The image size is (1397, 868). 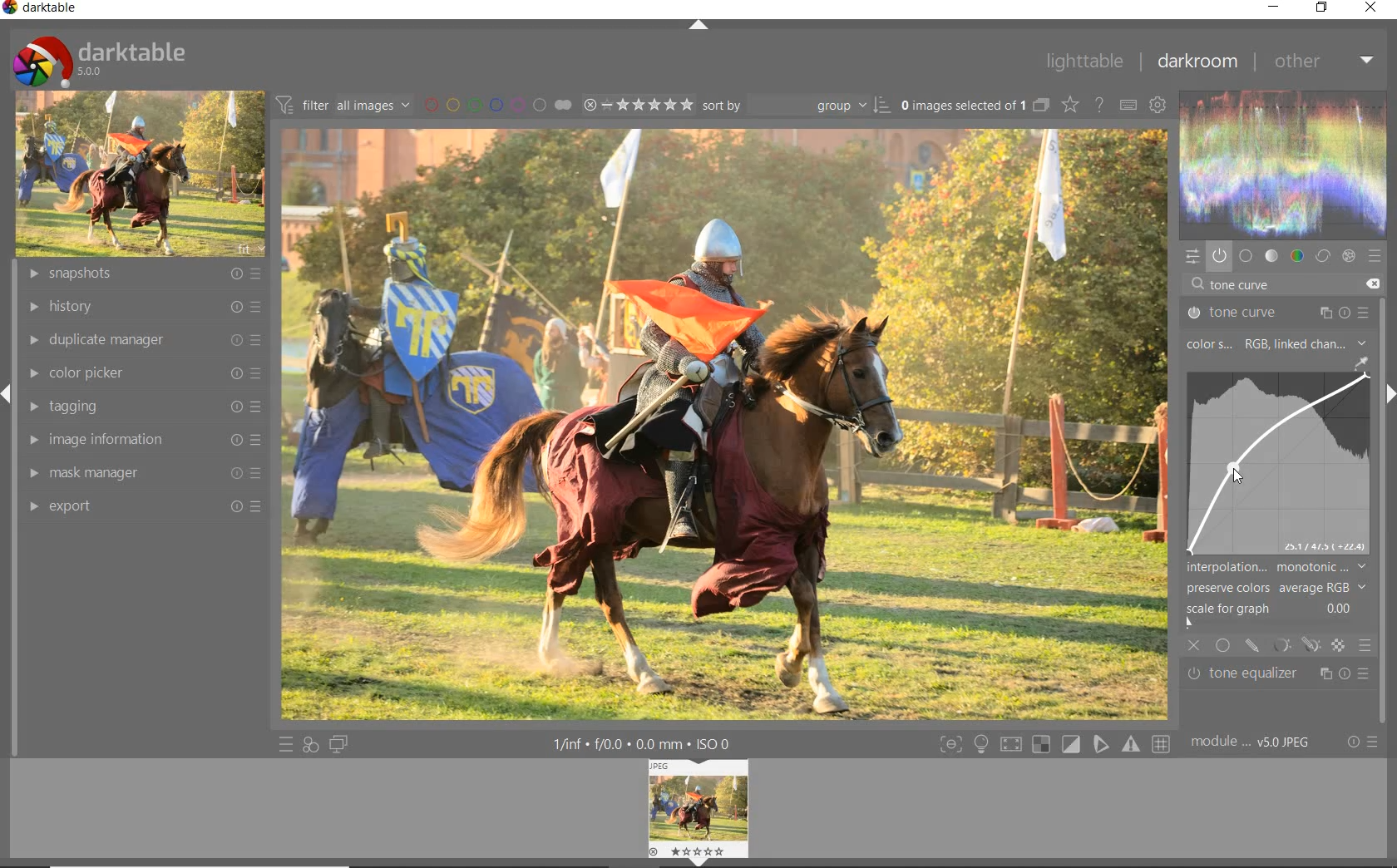 What do you see at coordinates (1283, 462) in the screenshot?
I see `tone curve` at bounding box center [1283, 462].